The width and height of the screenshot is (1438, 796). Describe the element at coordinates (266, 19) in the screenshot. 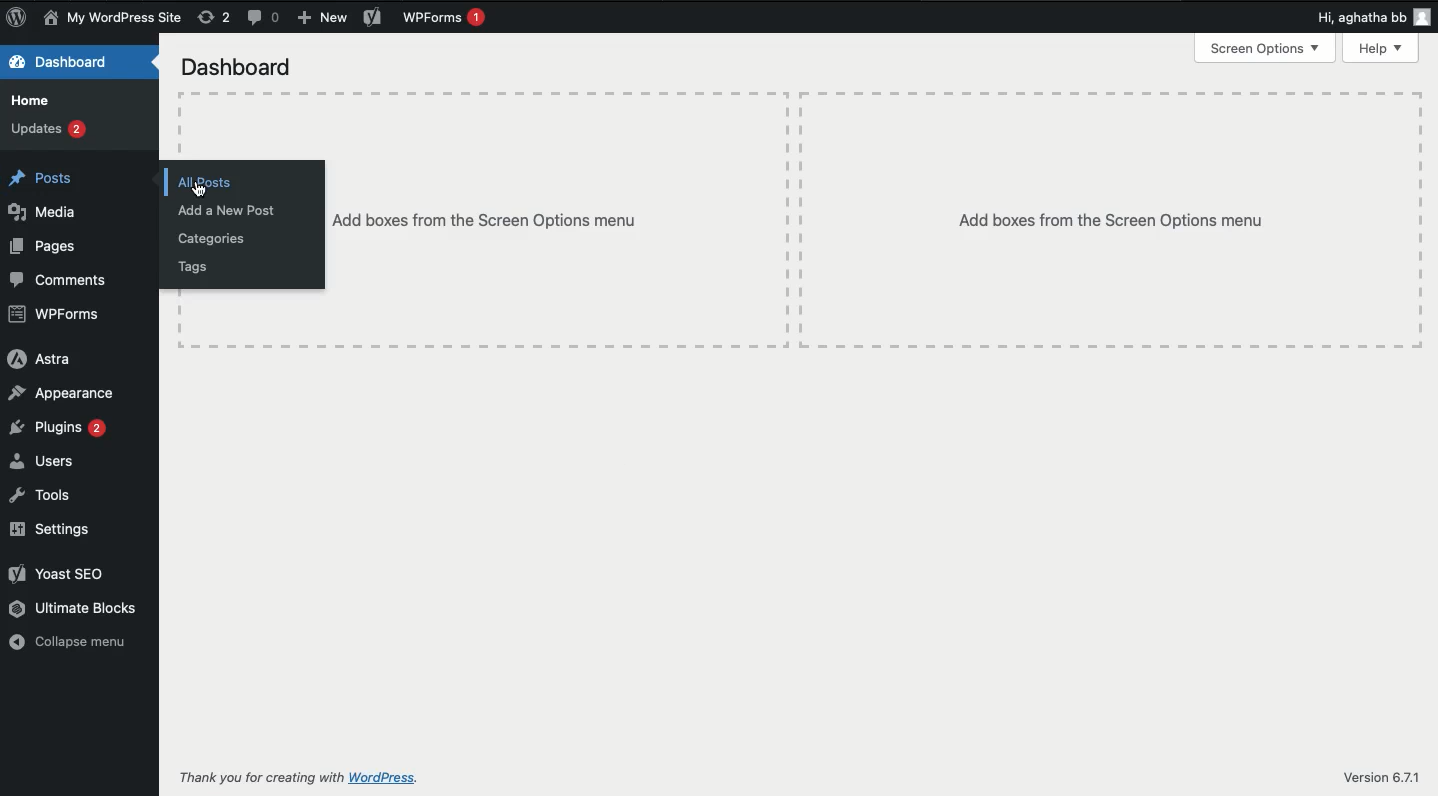

I see `Comments` at that location.